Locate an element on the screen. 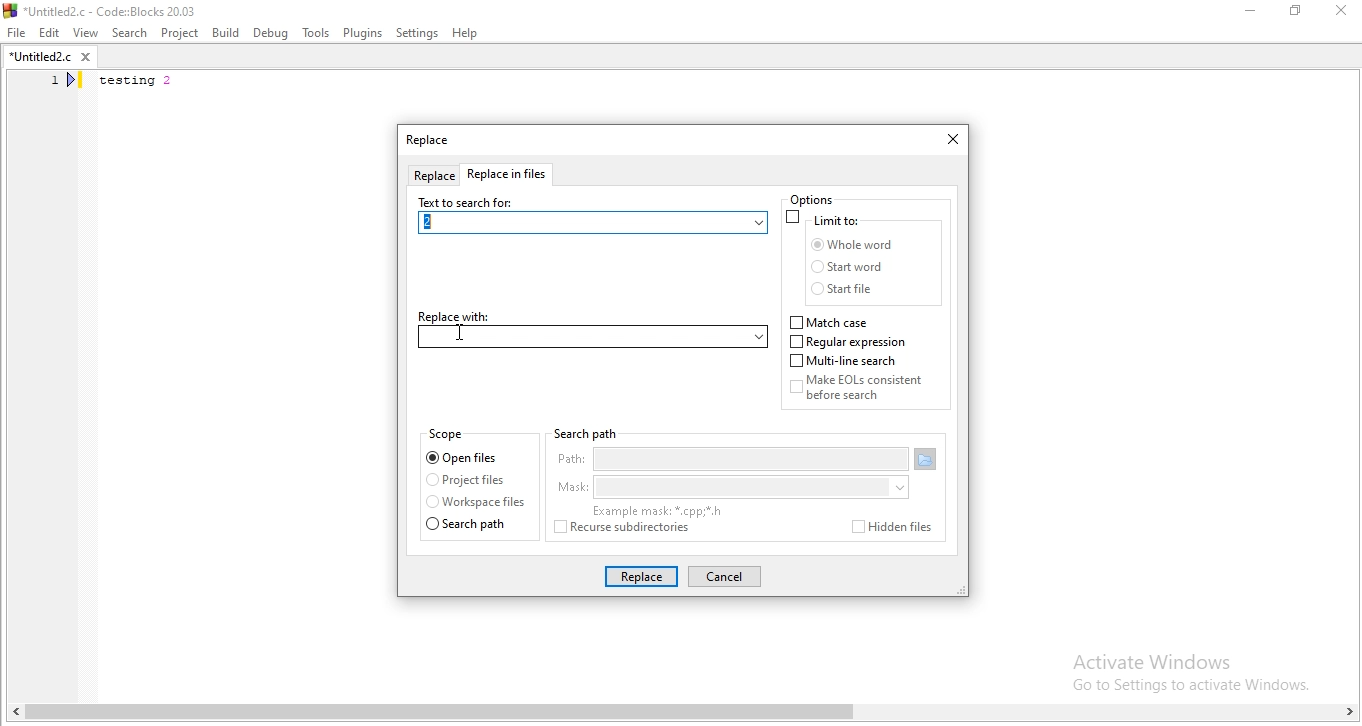 The image size is (1362, 726). limit to is located at coordinates (826, 219).